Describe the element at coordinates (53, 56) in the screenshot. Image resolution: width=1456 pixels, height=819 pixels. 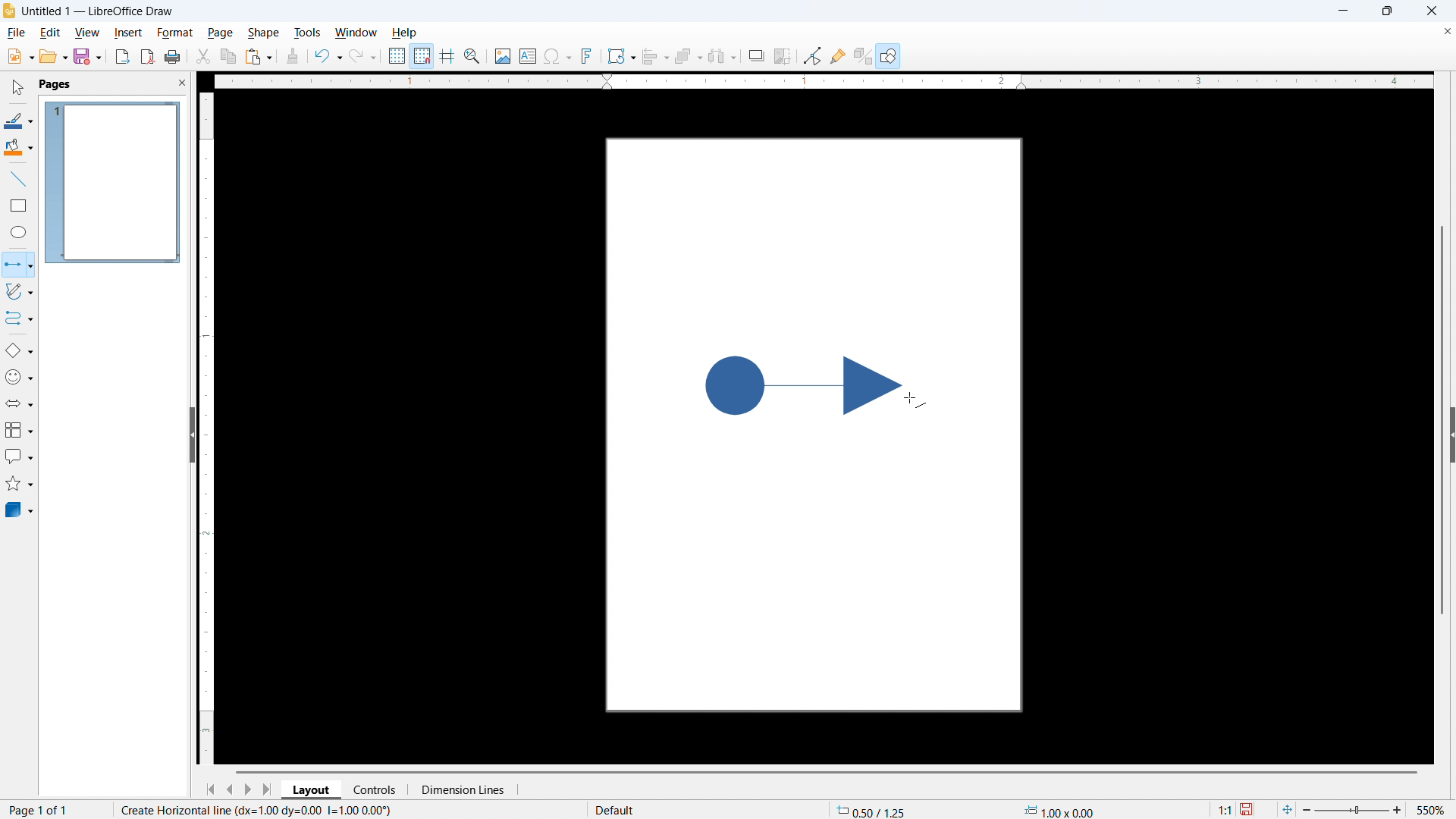
I see `open ` at that location.